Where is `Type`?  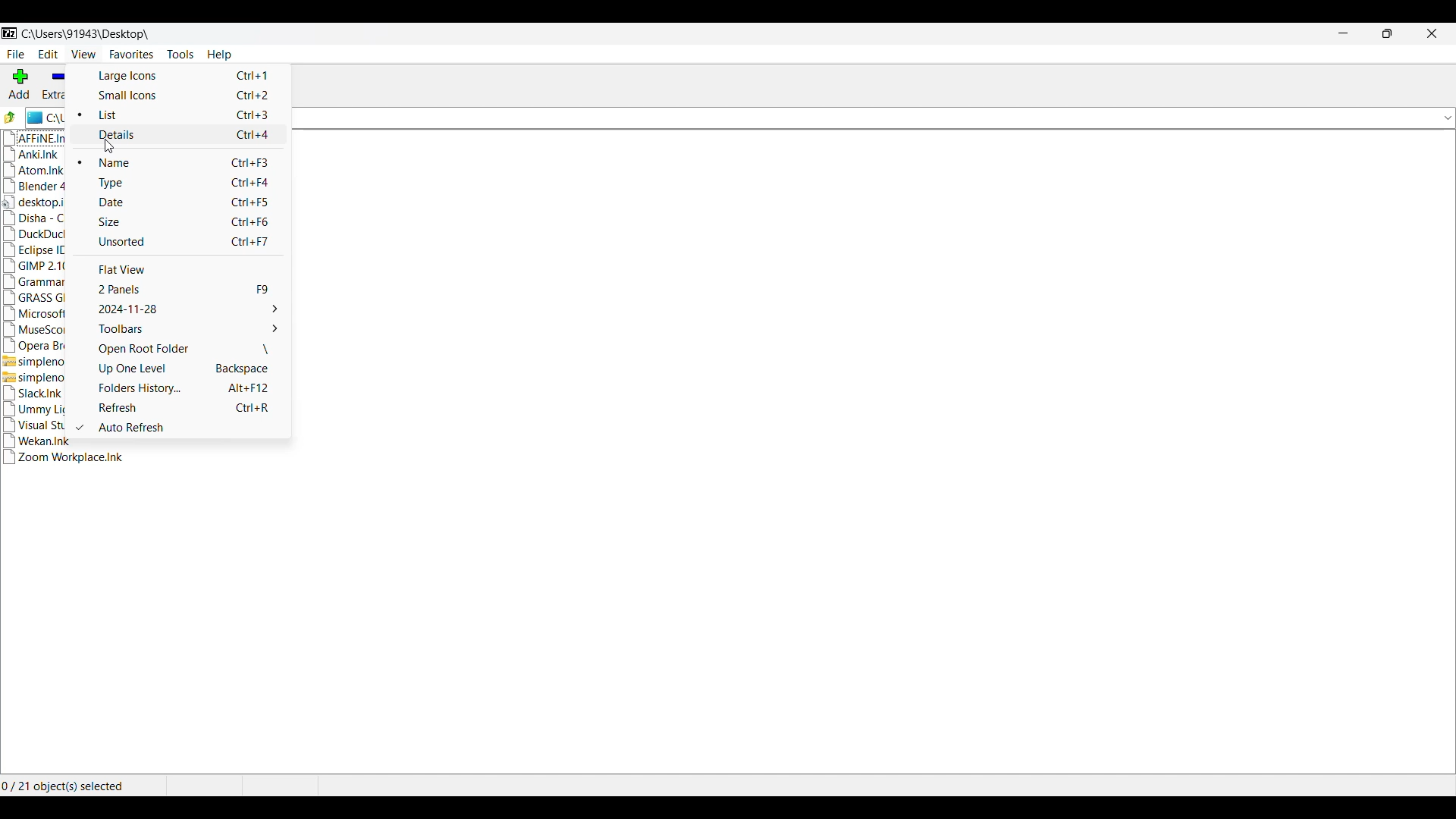
Type is located at coordinates (188, 183).